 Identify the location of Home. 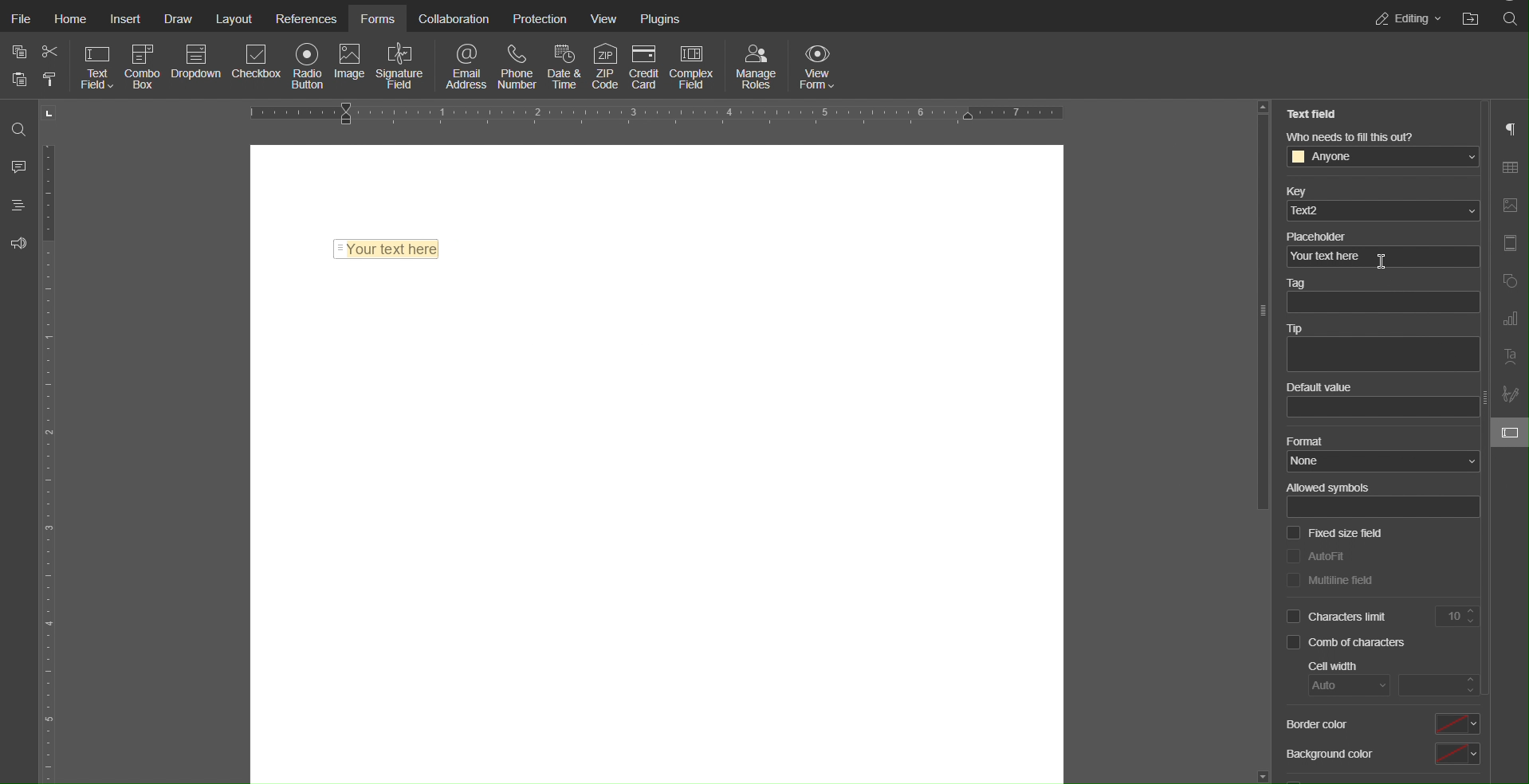
(70, 20).